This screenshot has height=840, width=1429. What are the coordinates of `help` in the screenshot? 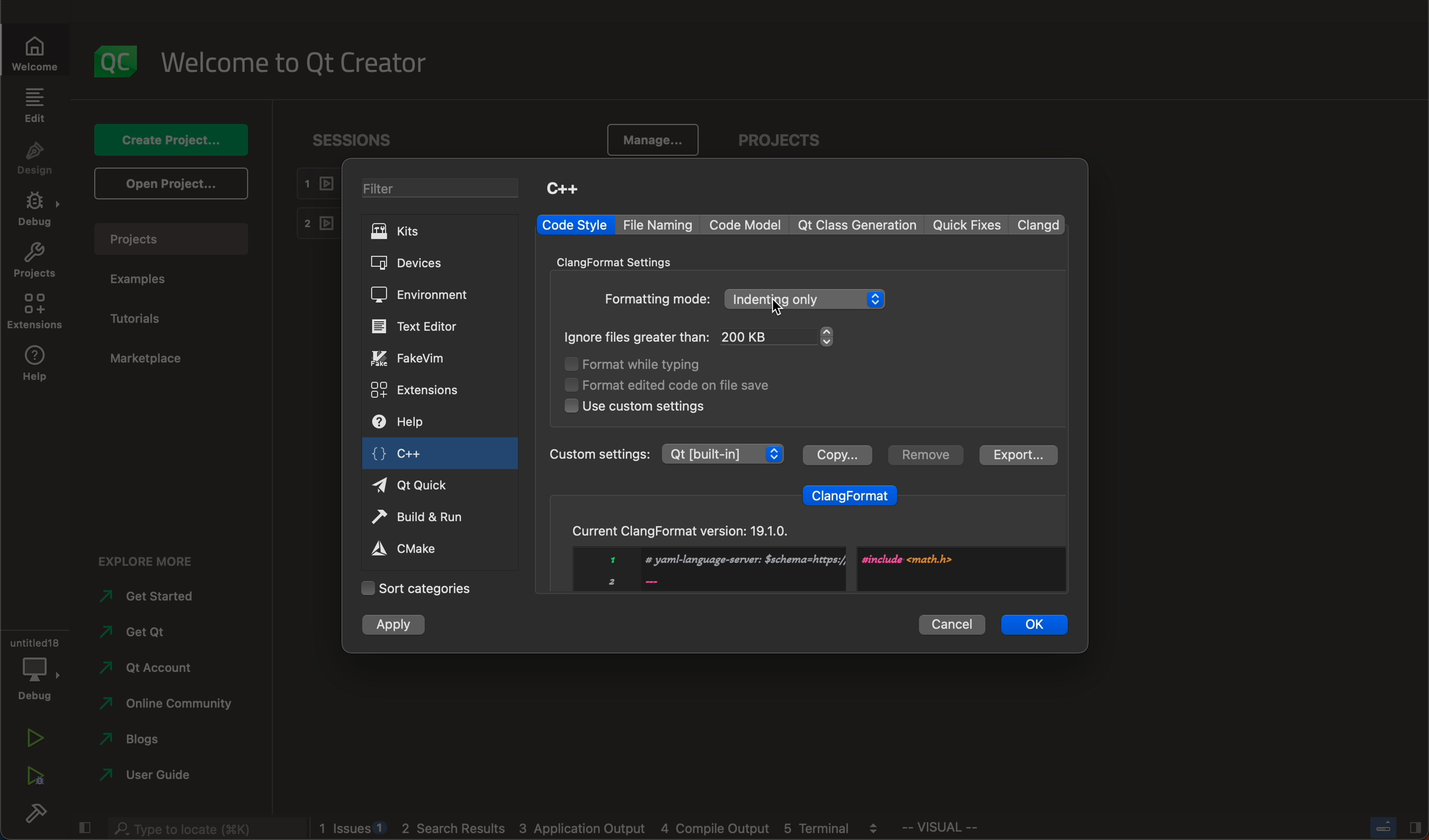 It's located at (34, 366).